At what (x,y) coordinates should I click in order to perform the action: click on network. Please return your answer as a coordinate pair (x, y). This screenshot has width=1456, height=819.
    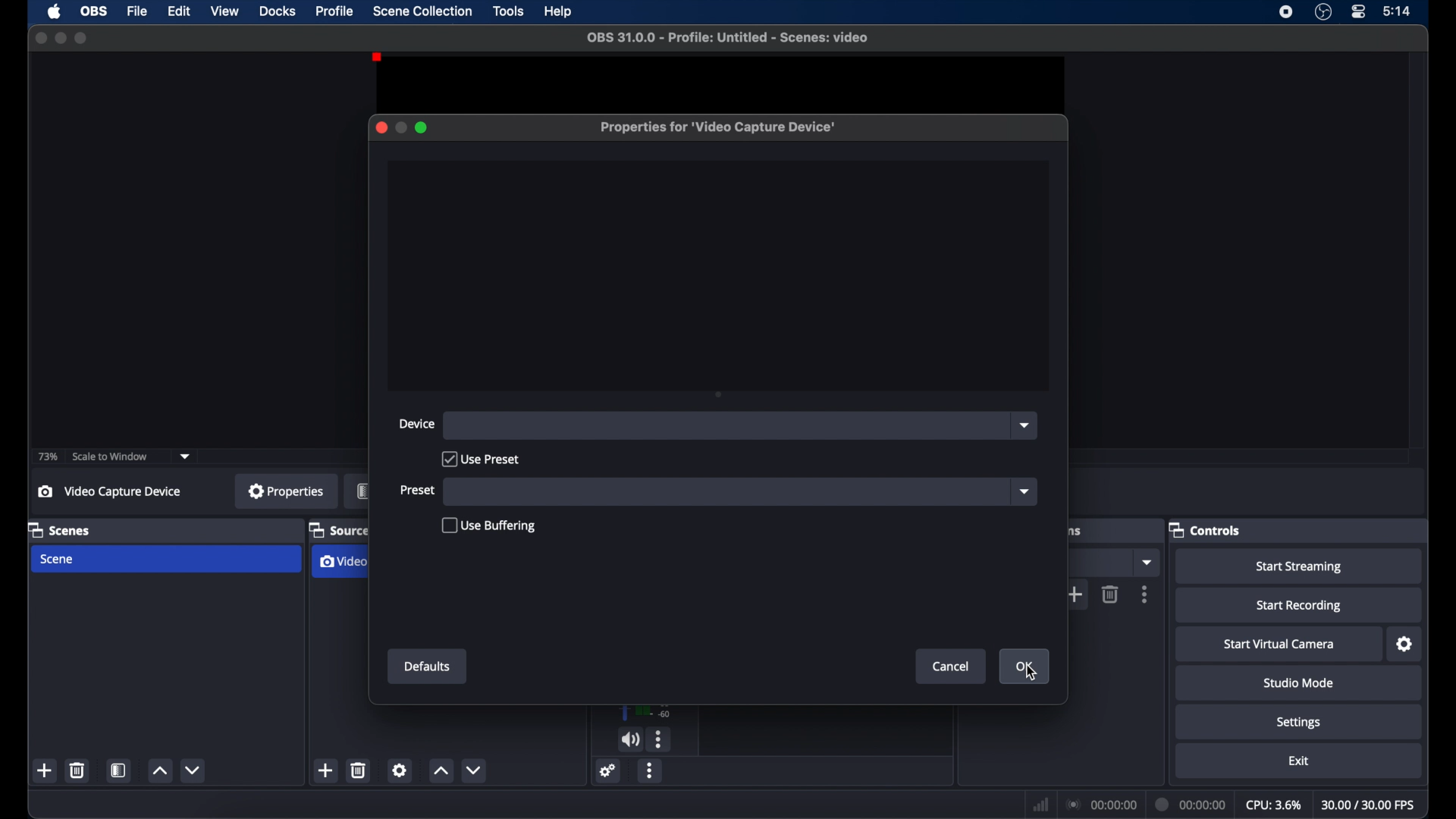
    Looking at the image, I should click on (1039, 805).